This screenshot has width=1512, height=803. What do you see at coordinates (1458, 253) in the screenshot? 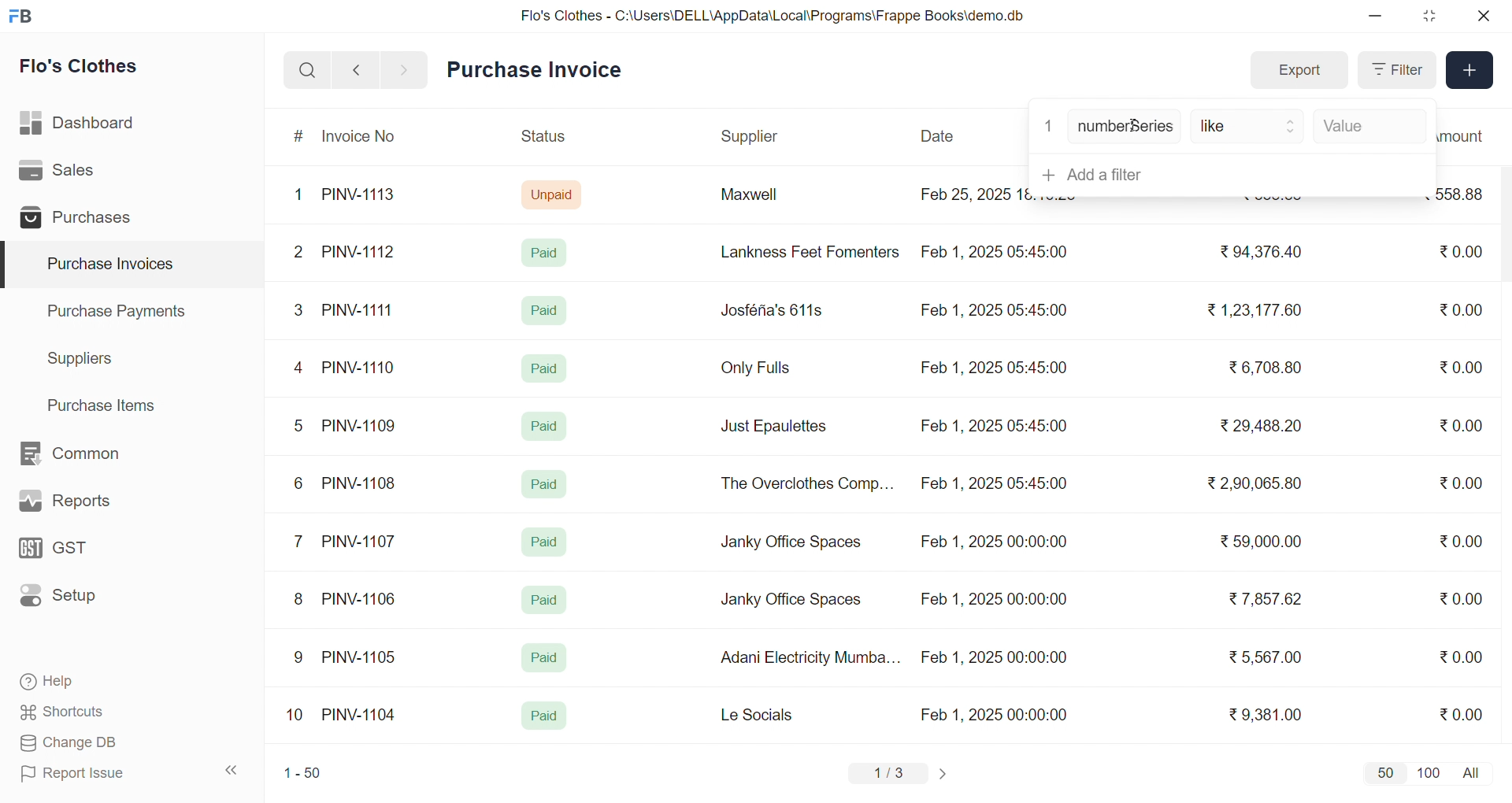
I see `₹0.00` at bounding box center [1458, 253].